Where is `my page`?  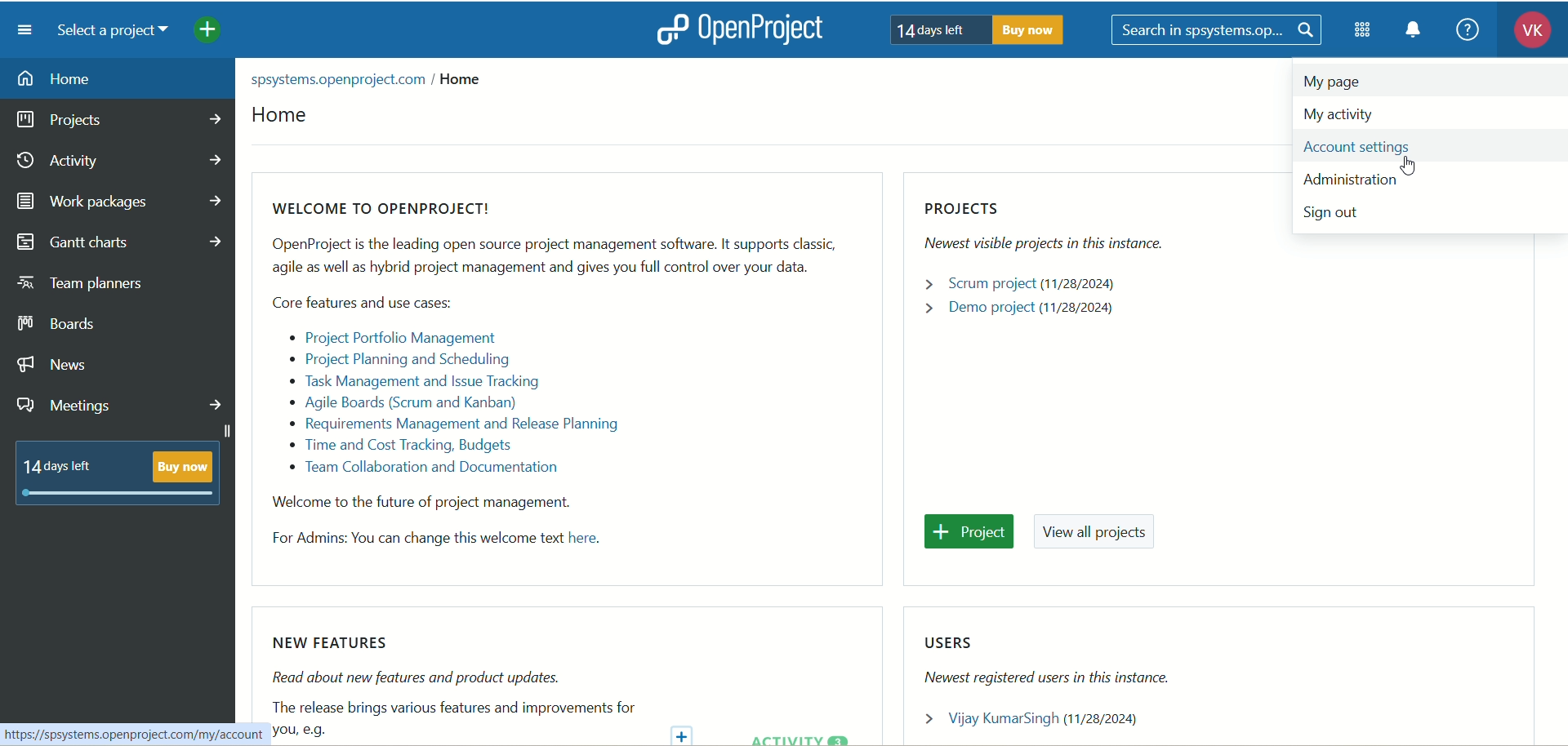 my page is located at coordinates (1344, 83).